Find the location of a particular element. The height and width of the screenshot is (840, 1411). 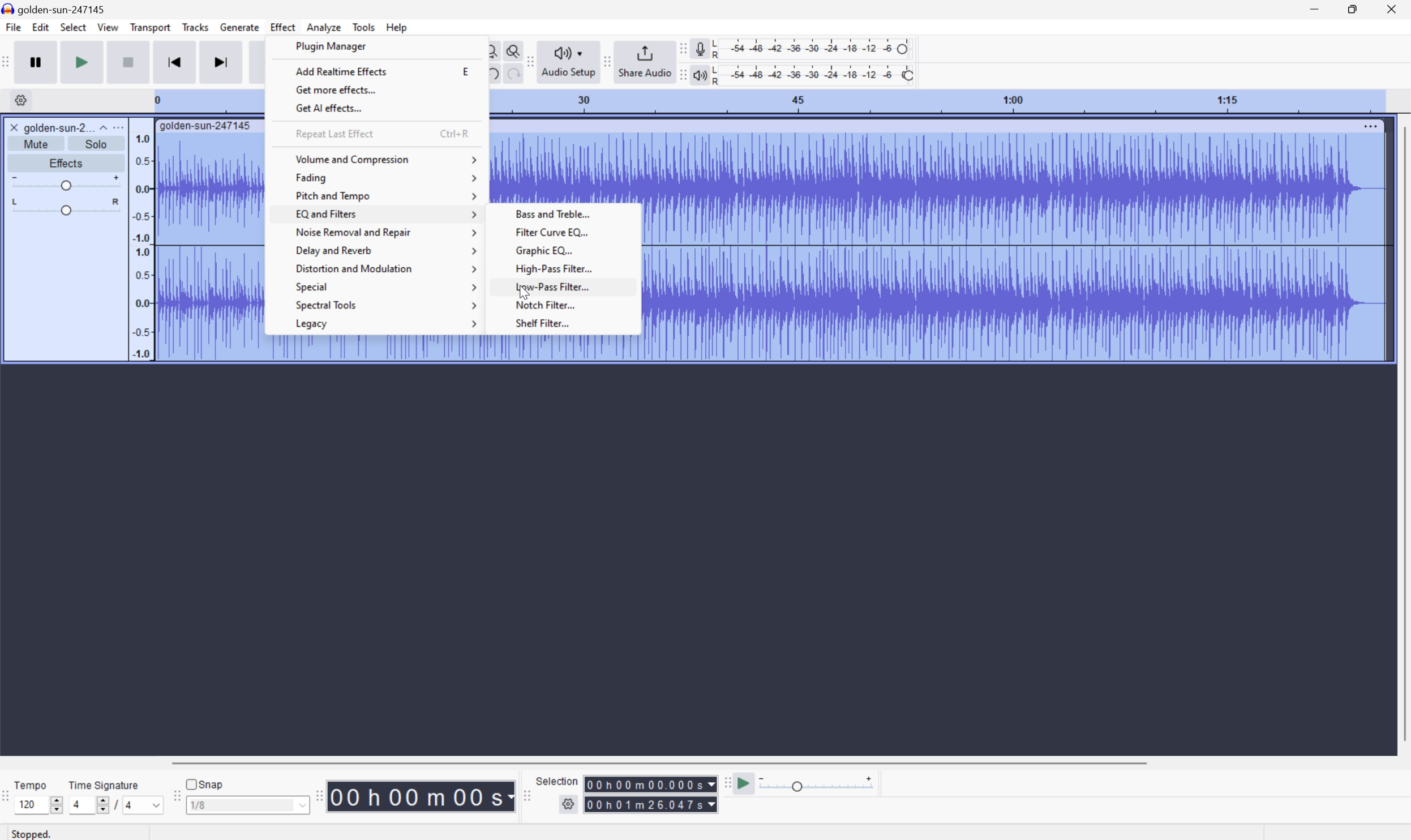

Ctrl+R is located at coordinates (455, 132).